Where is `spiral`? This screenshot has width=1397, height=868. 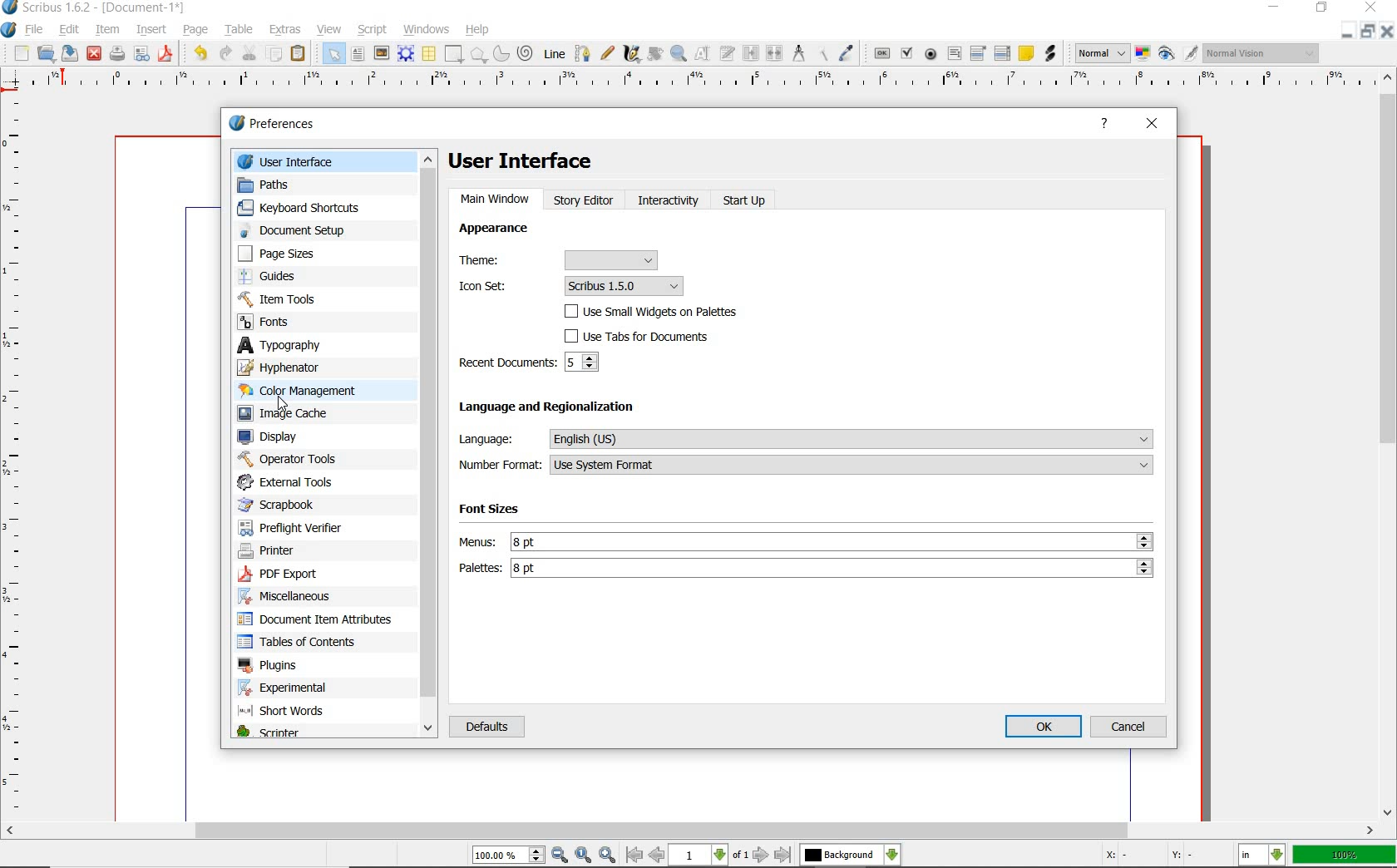
spiral is located at coordinates (526, 52).